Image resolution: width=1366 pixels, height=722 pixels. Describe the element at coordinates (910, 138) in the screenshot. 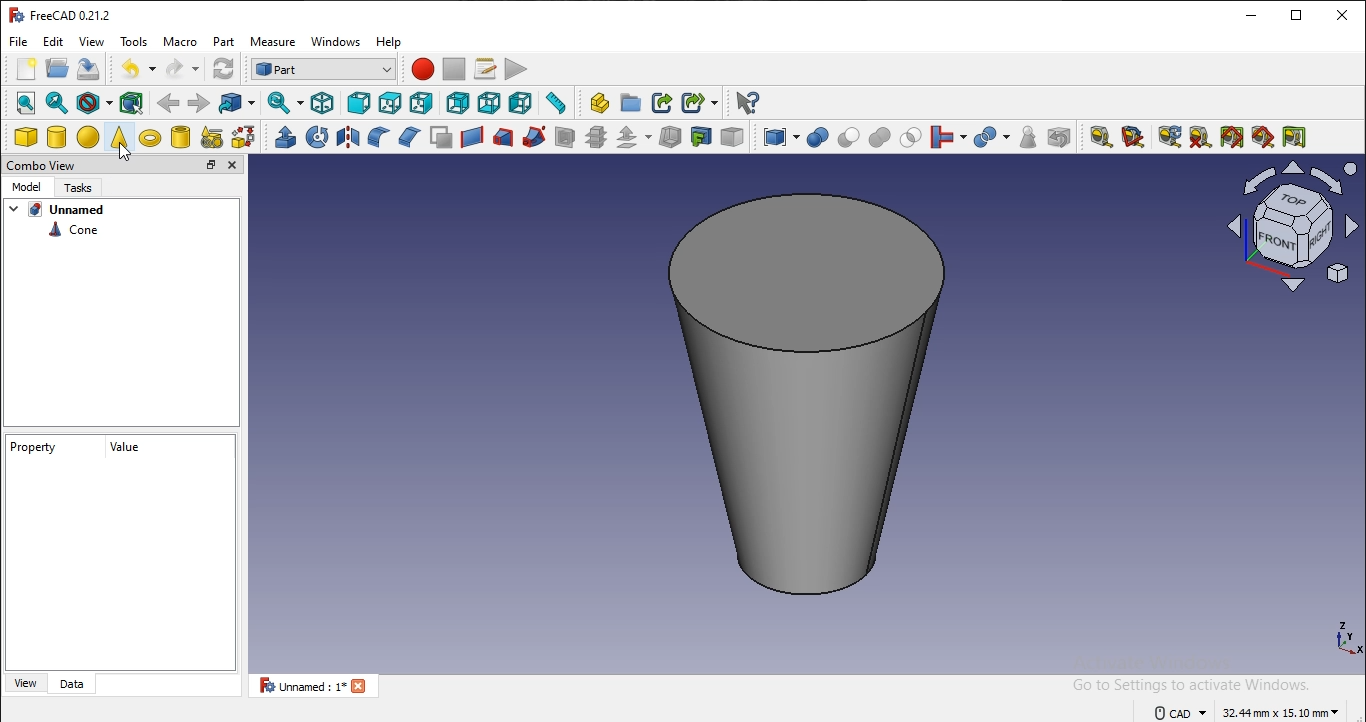

I see `intersection` at that location.